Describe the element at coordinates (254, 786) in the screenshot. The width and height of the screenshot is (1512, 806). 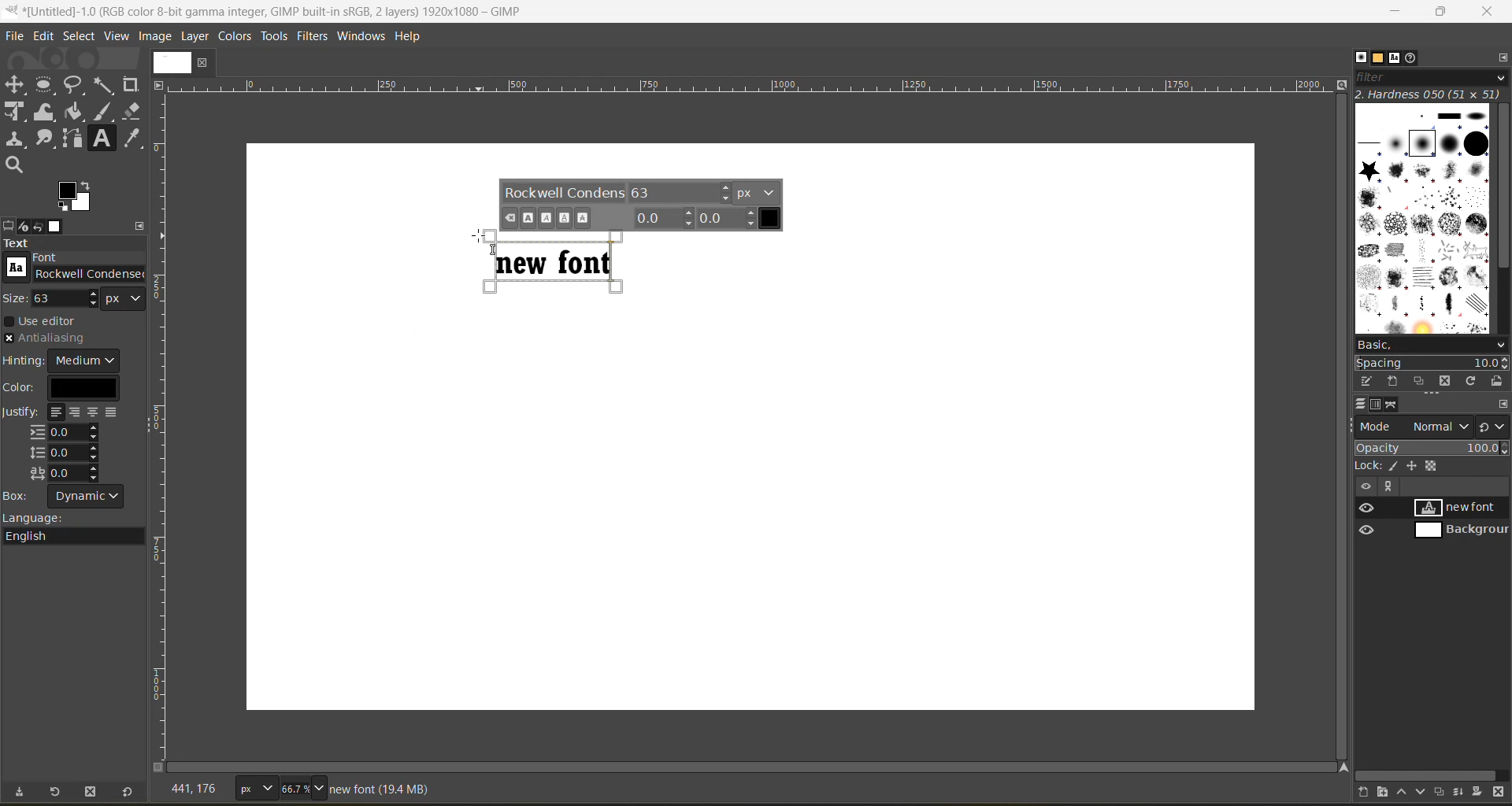
I see `page type` at that location.